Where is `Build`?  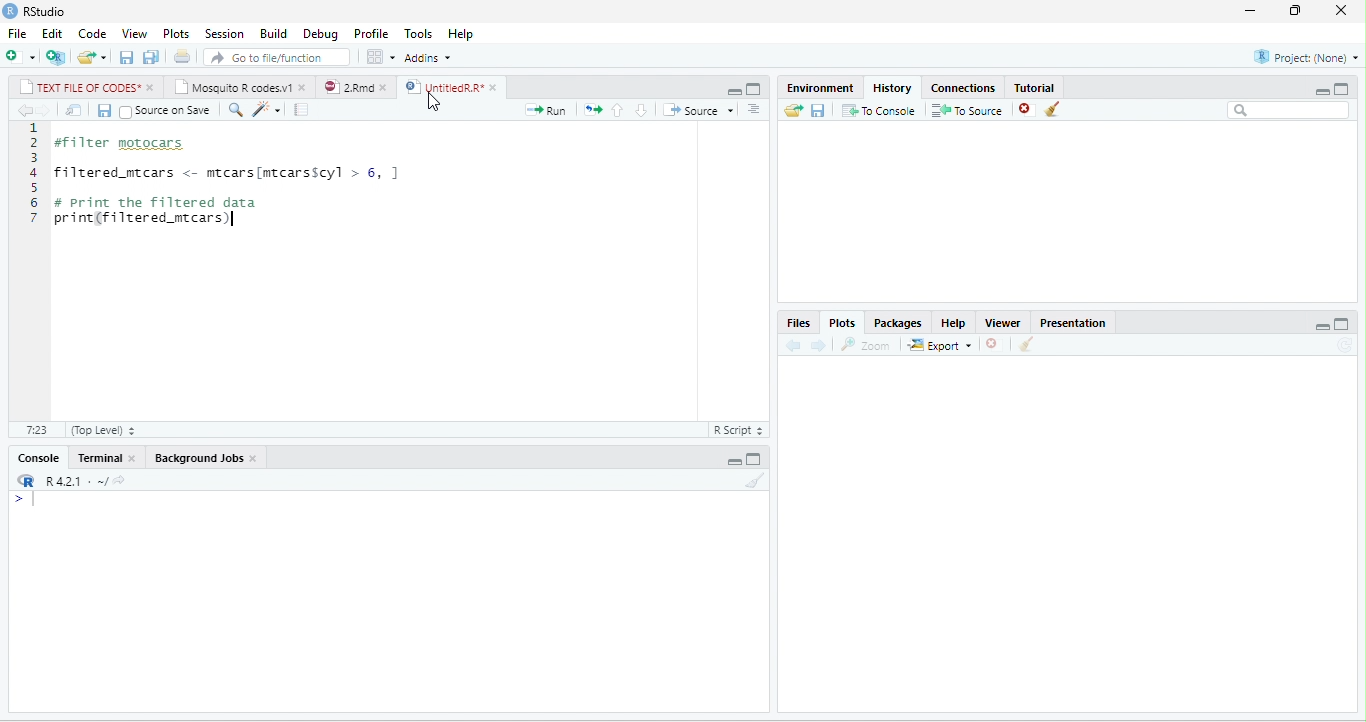
Build is located at coordinates (273, 33).